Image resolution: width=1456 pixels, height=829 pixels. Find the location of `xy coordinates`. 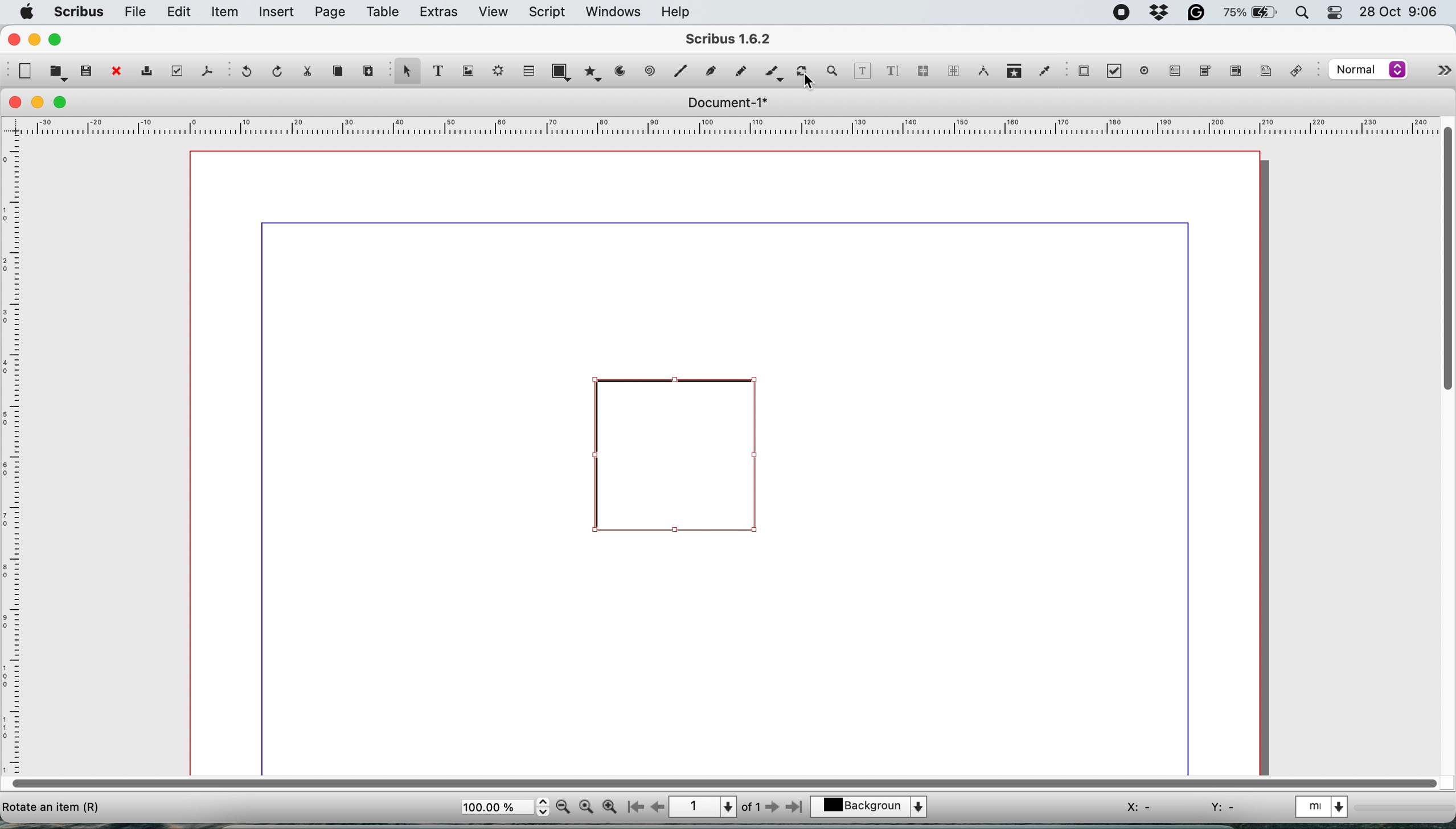

xy coordinates is located at coordinates (1177, 805).